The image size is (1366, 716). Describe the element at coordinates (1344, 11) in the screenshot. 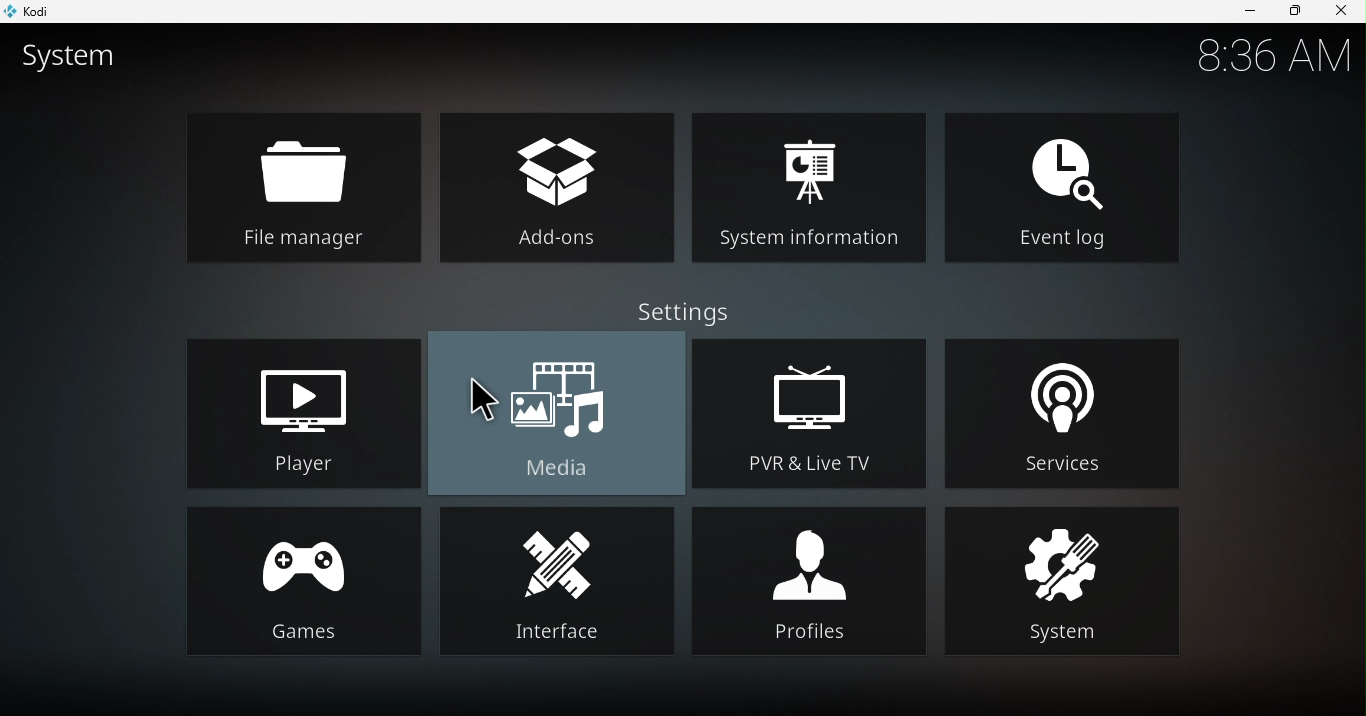

I see `close` at that location.